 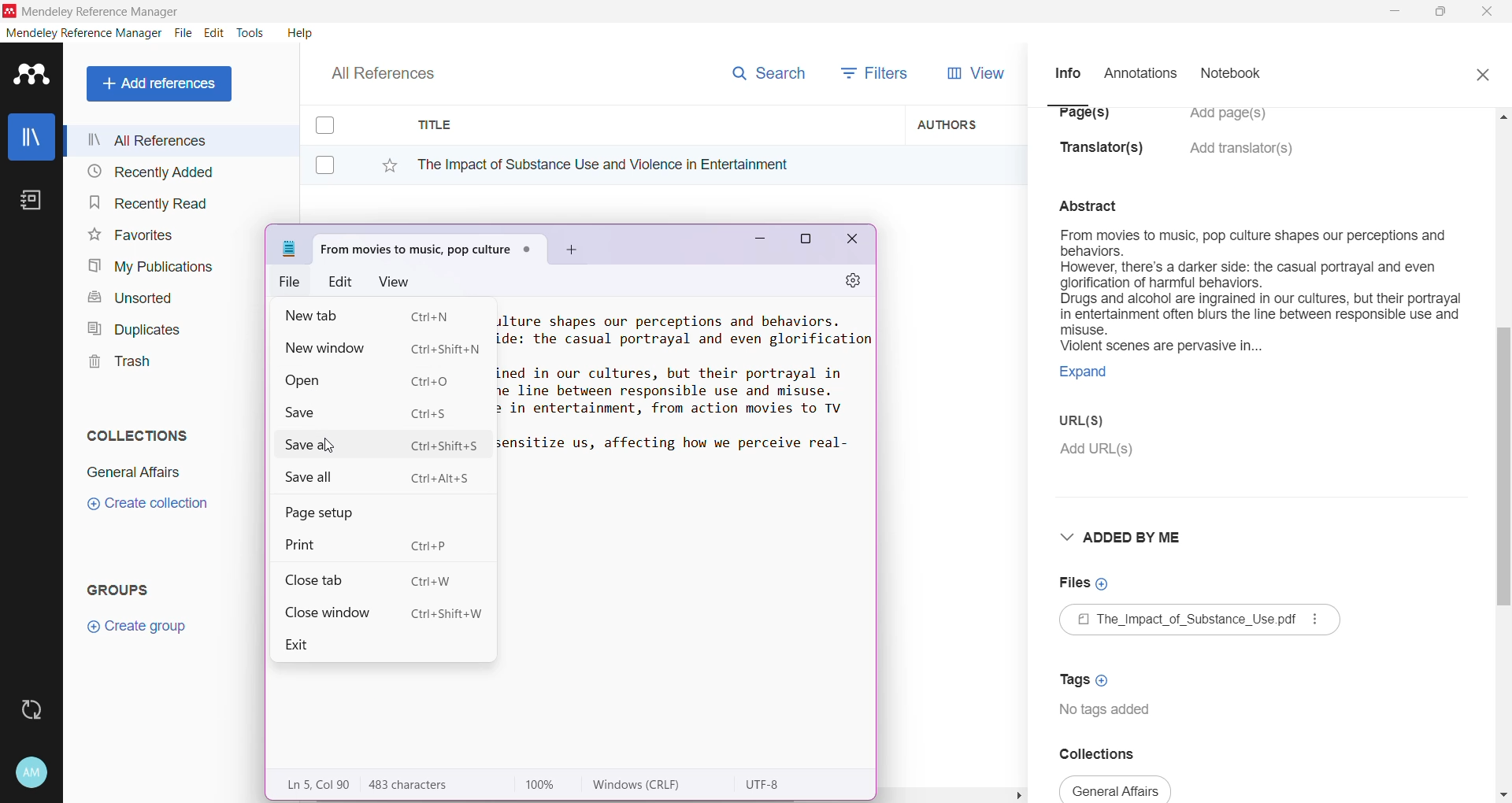 I want to click on Collection Name, so click(x=131, y=472).